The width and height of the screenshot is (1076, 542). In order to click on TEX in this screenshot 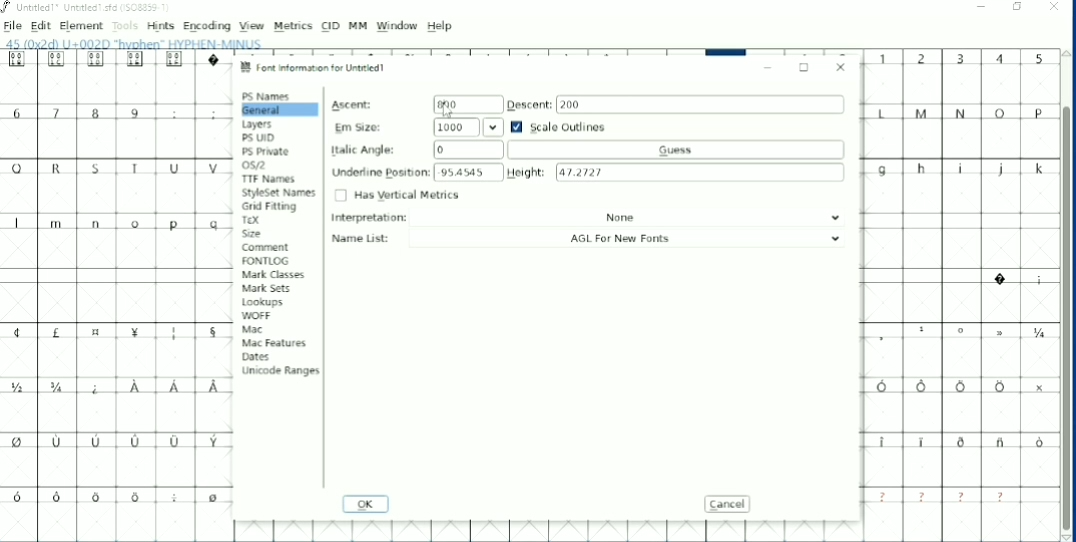, I will do `click(252, 220)`.